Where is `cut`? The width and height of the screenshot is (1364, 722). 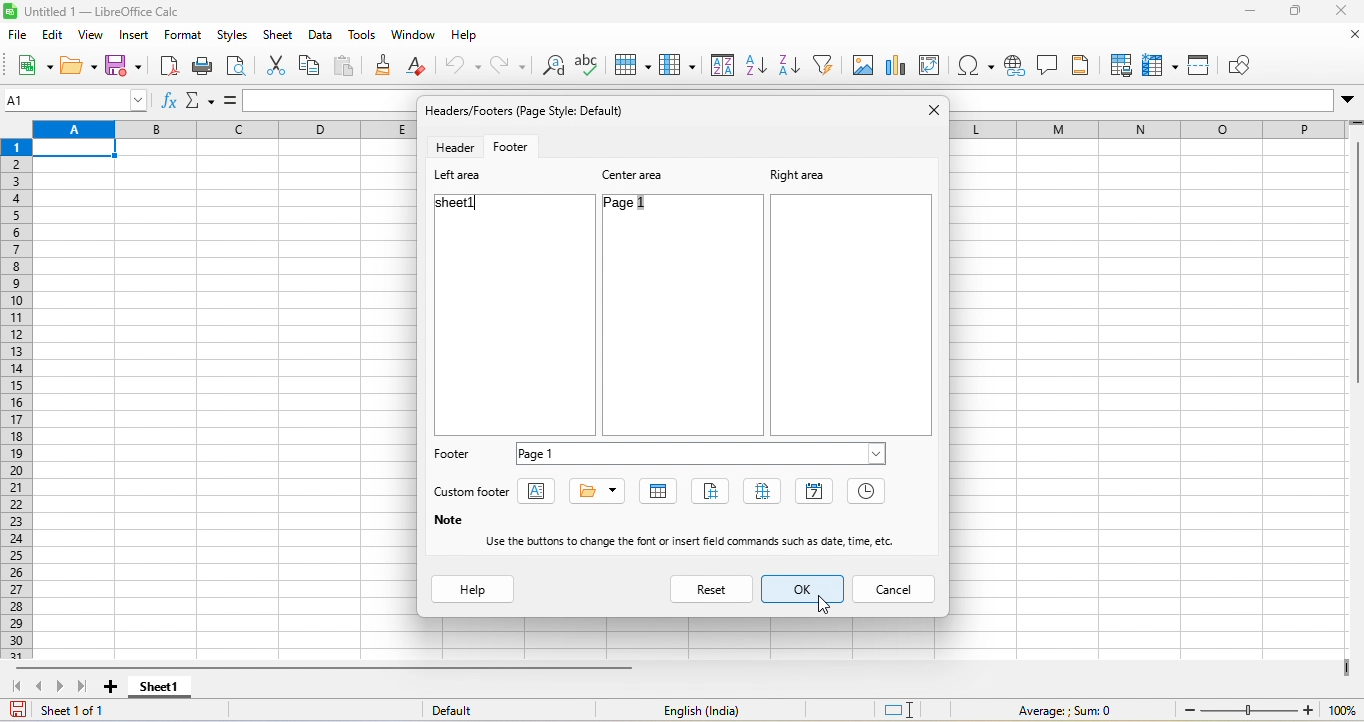 cut is located at coordinates (275, 63).